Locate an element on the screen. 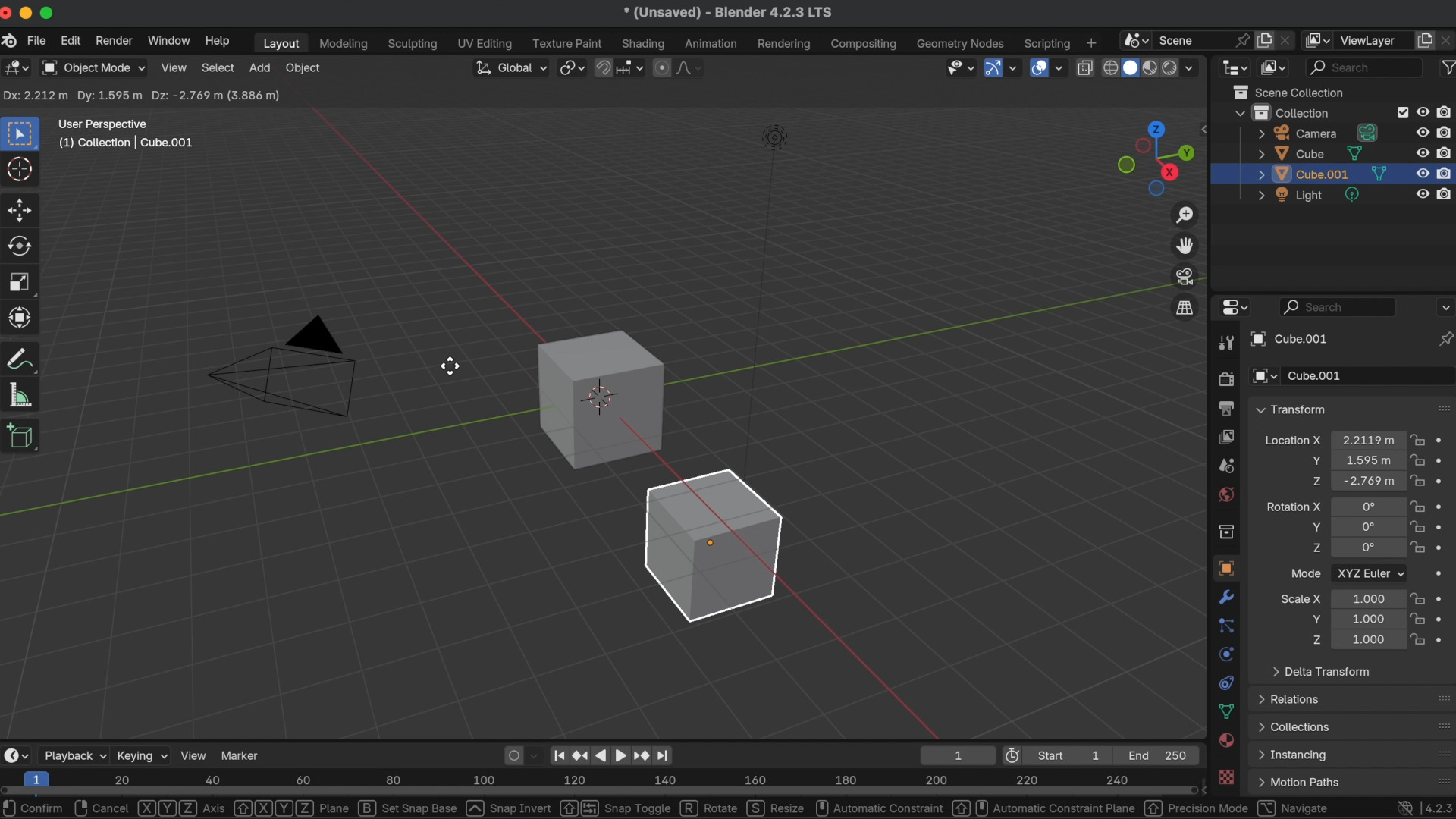  transform pivot point is located at coordinates (570, 65).